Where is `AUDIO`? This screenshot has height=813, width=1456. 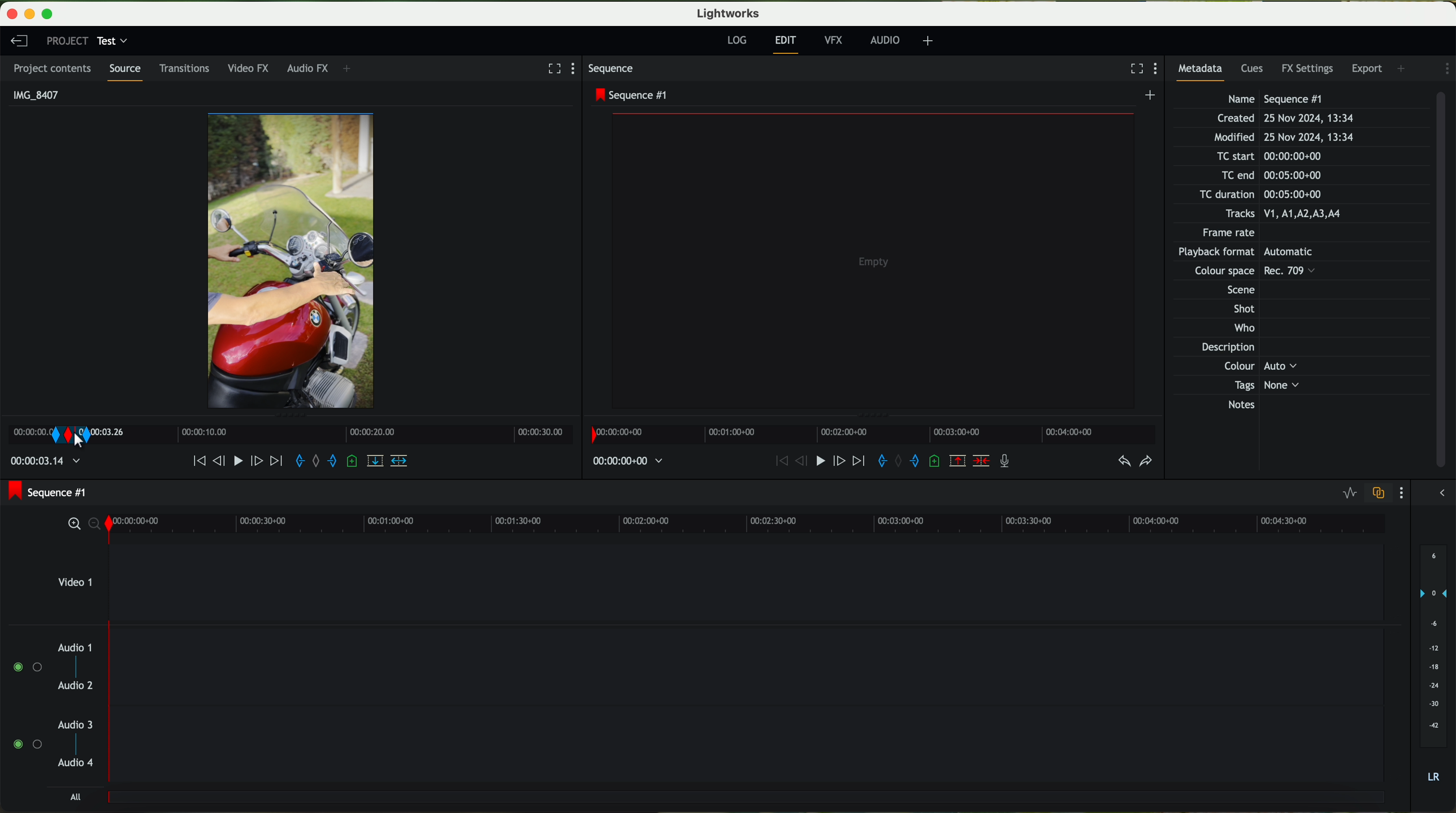
AUDIO is located at coordinates (883, 40).